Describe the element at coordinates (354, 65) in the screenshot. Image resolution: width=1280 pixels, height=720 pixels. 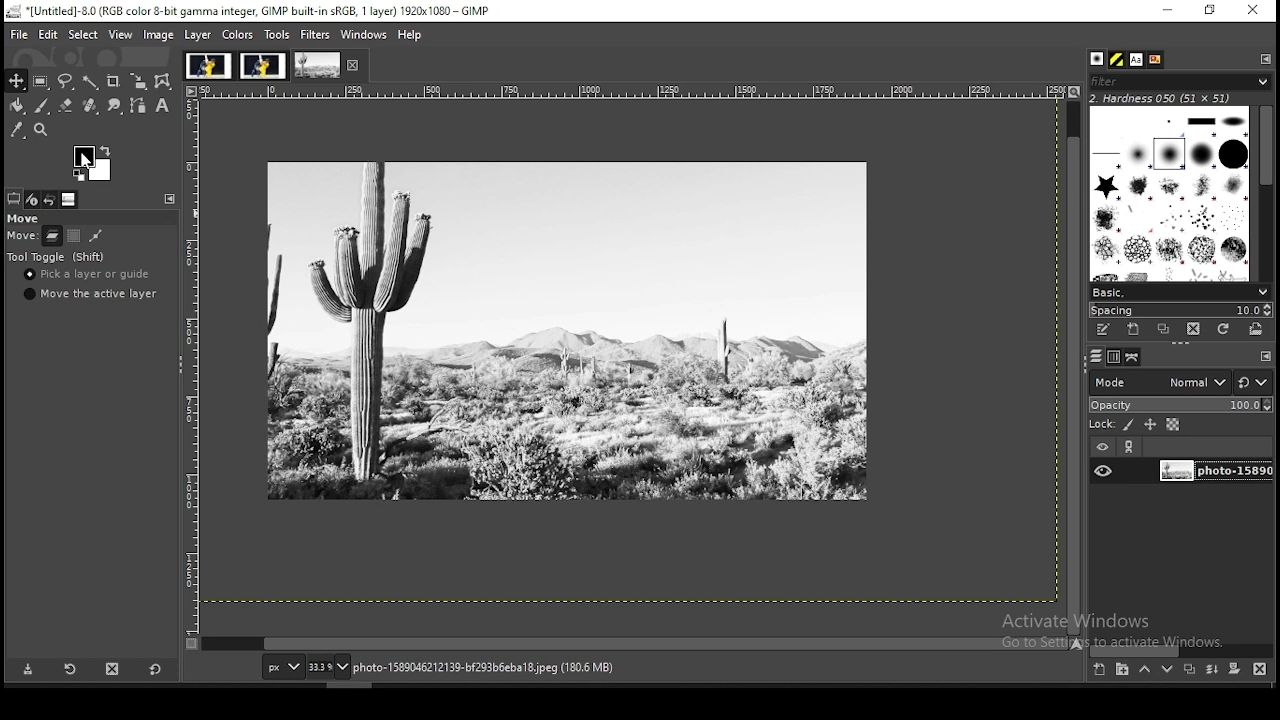
I see `close` at that location.